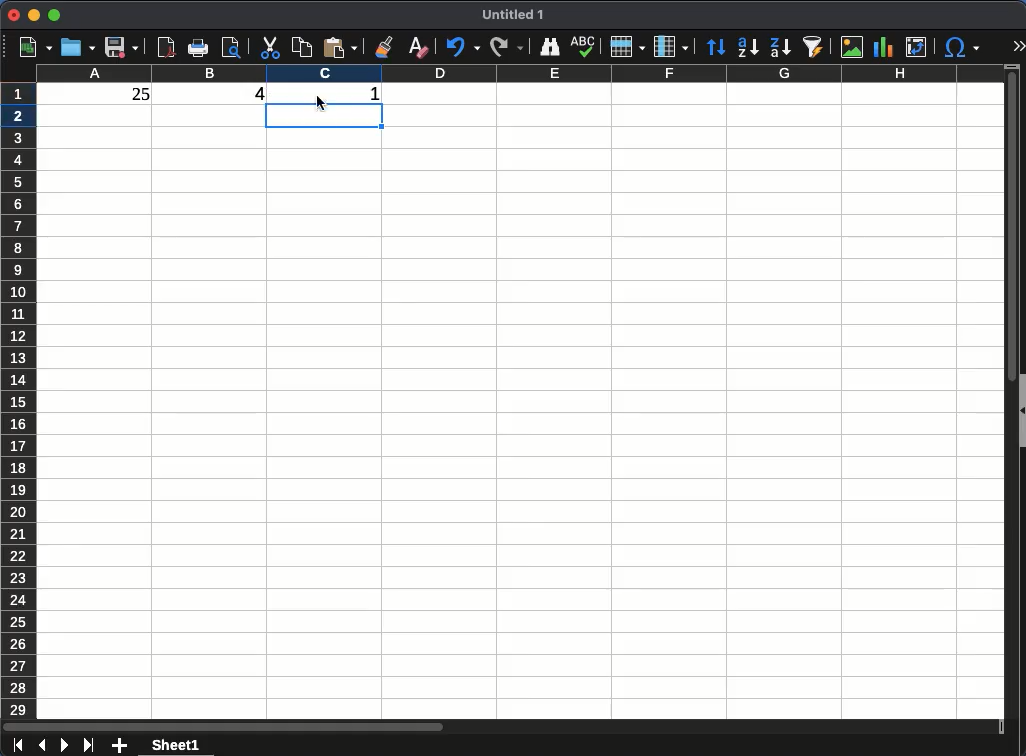  What do you see at coordinates (964, 48) in the screenshot?
I see `special character` at bounding box center [964, 48].